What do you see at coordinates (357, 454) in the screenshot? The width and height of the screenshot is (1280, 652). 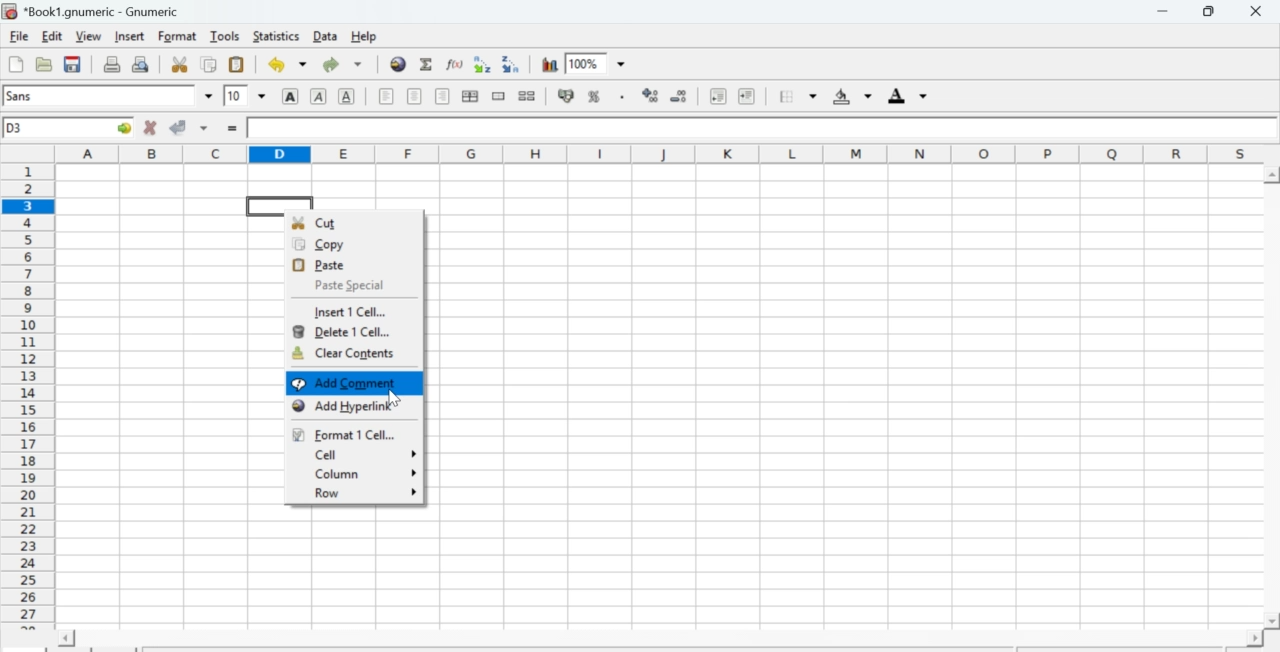 I see `Cell` at bounding box center [357, 454].